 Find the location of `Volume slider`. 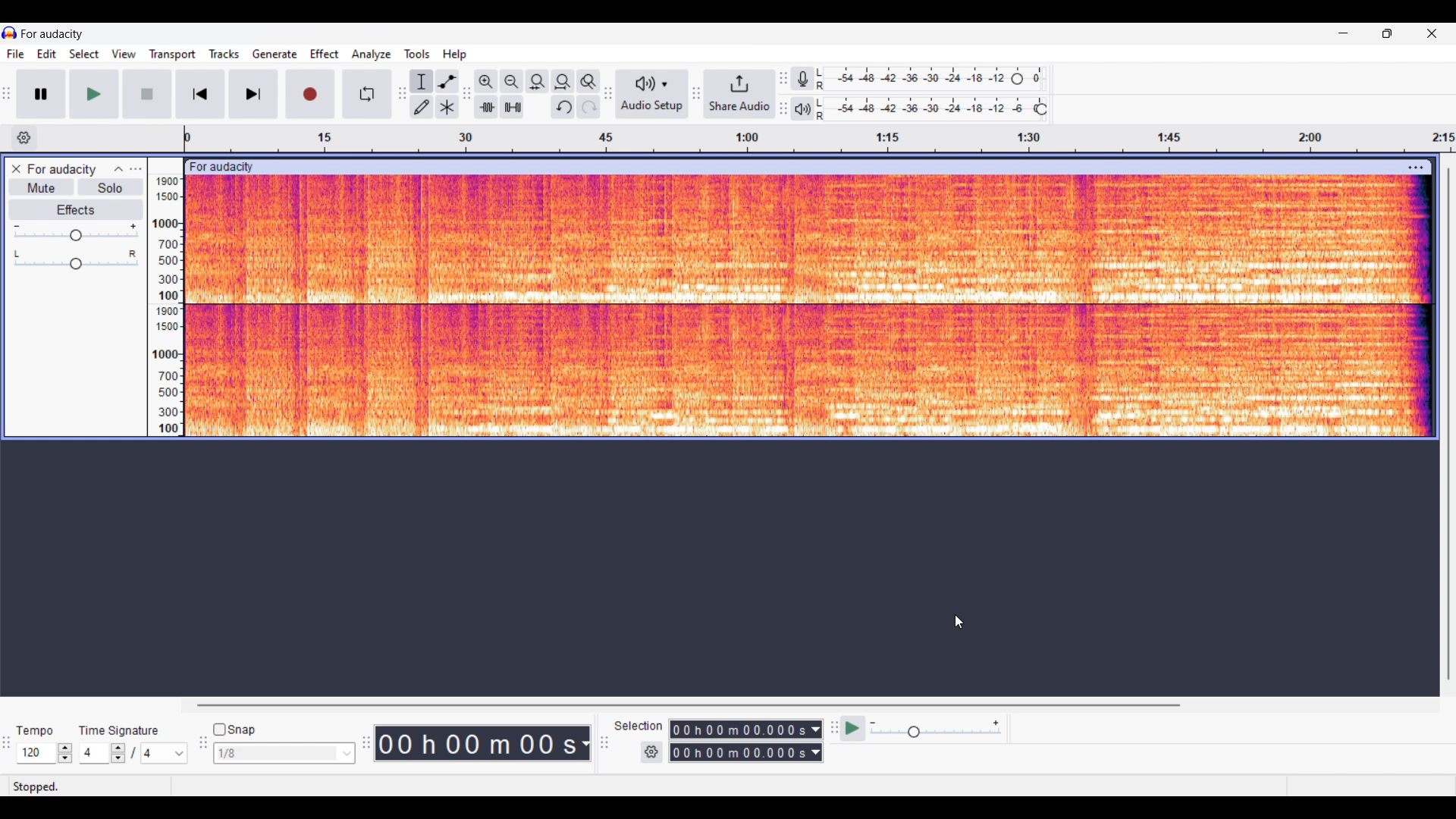

Volume slider is located at coordinates (75, 233).